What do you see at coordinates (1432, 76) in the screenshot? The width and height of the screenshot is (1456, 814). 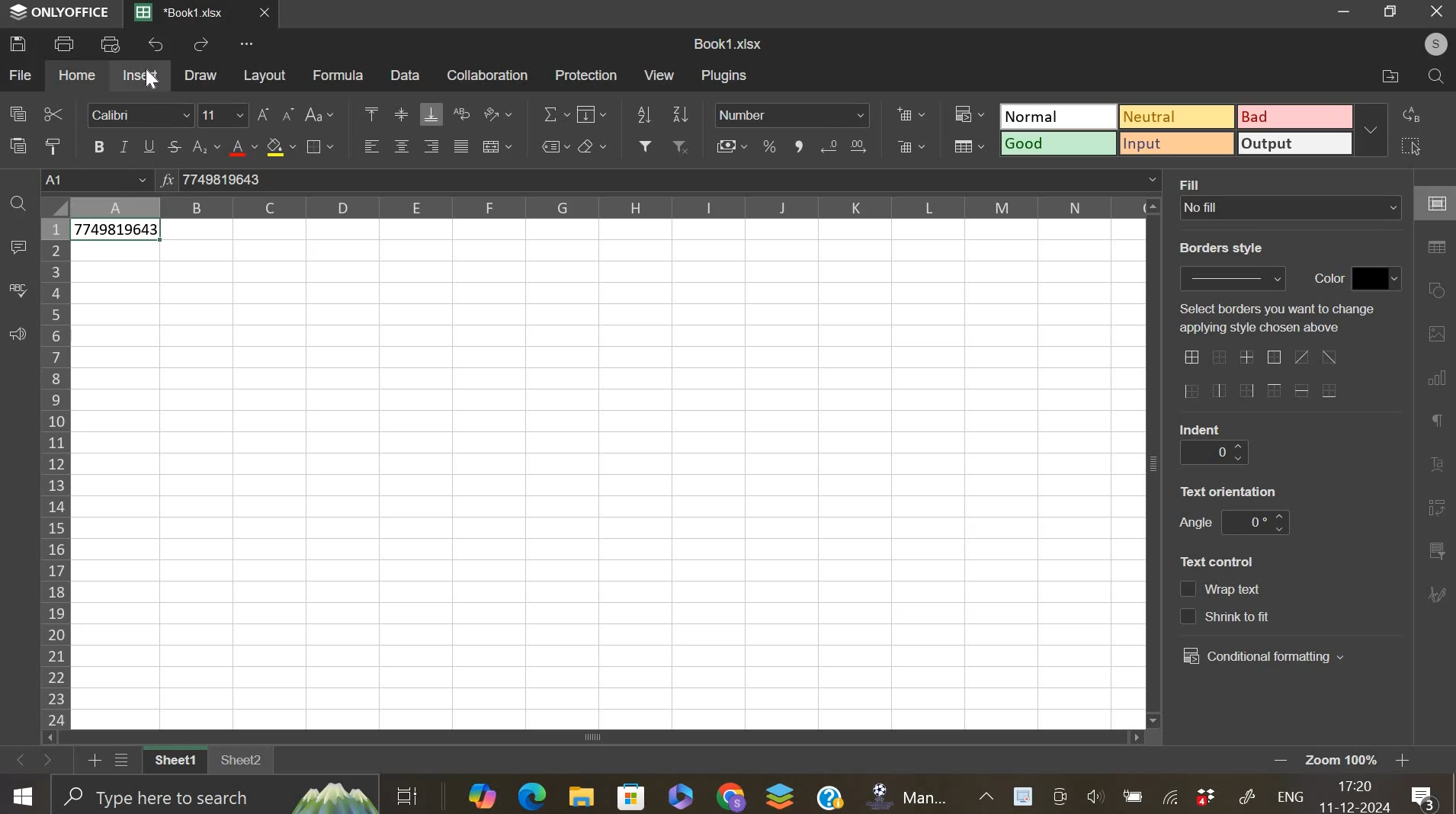 I see `find` at bounding box center [1432, 76].